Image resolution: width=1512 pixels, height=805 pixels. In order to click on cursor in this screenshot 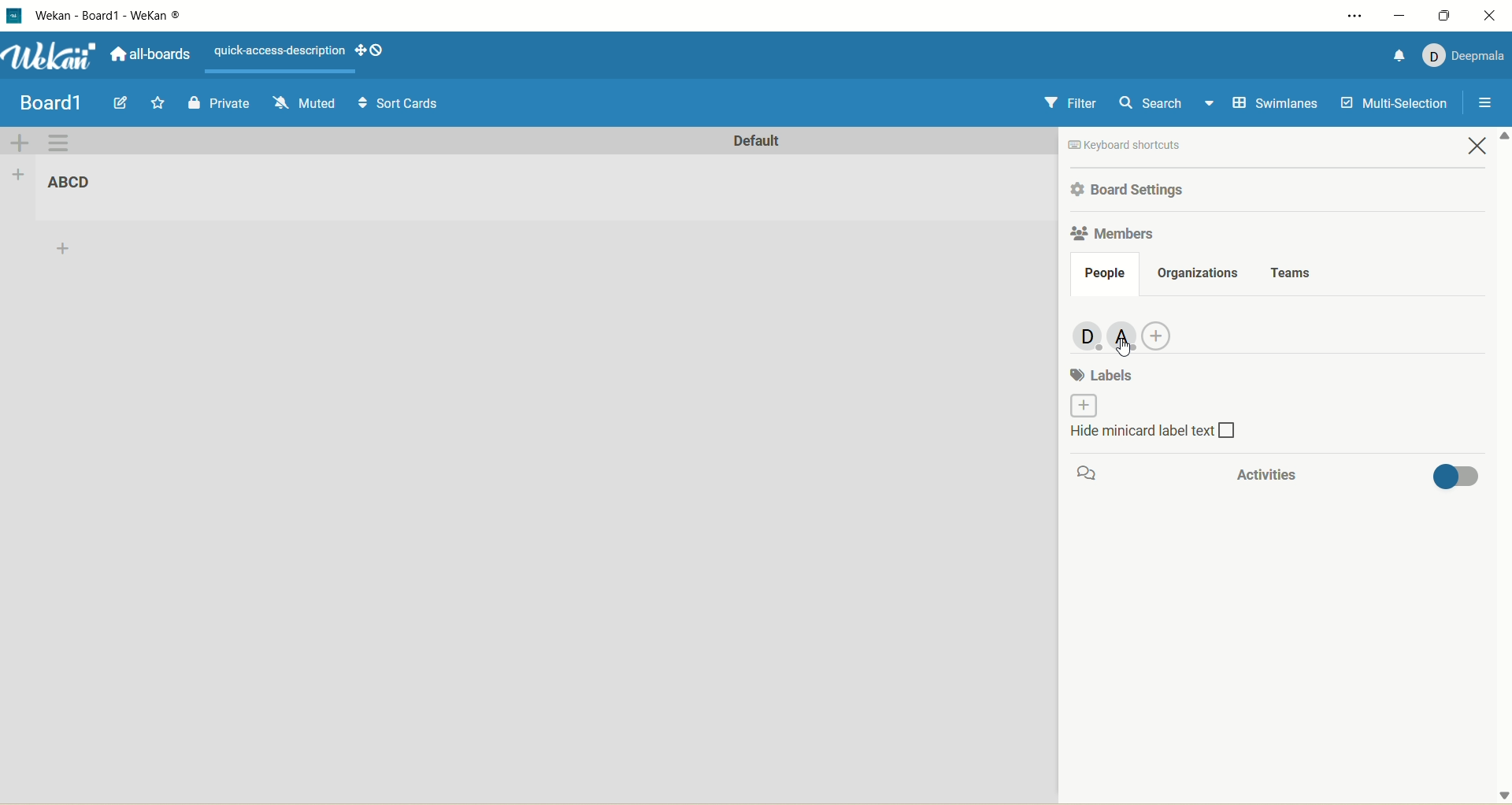, I will do `click(1124, 348)`.